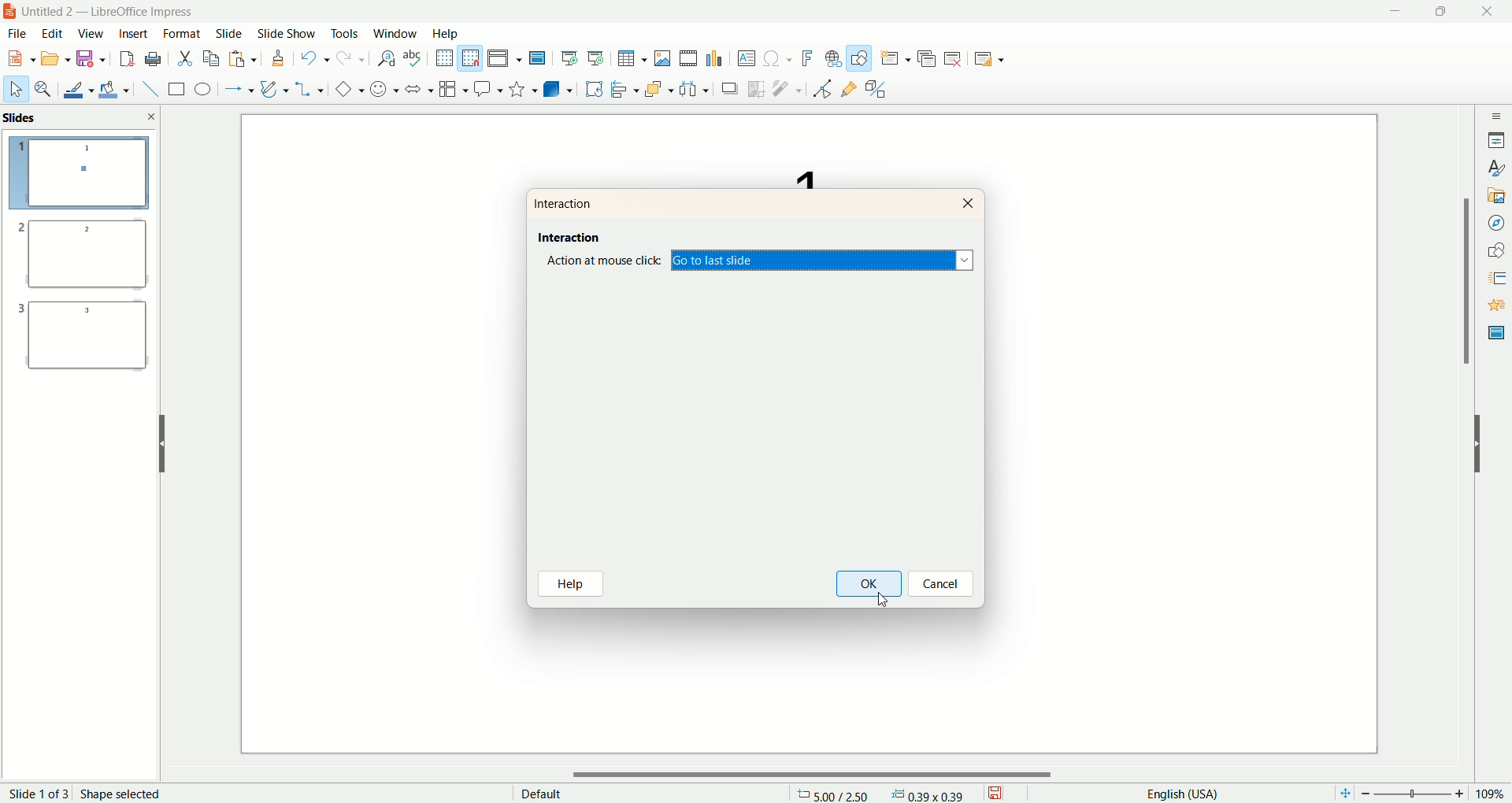 The image size is (1512, 803). What do you see at coordinates (956, 61) in the screenshot?
I see `delete slide` at bounding box center [956, 61].